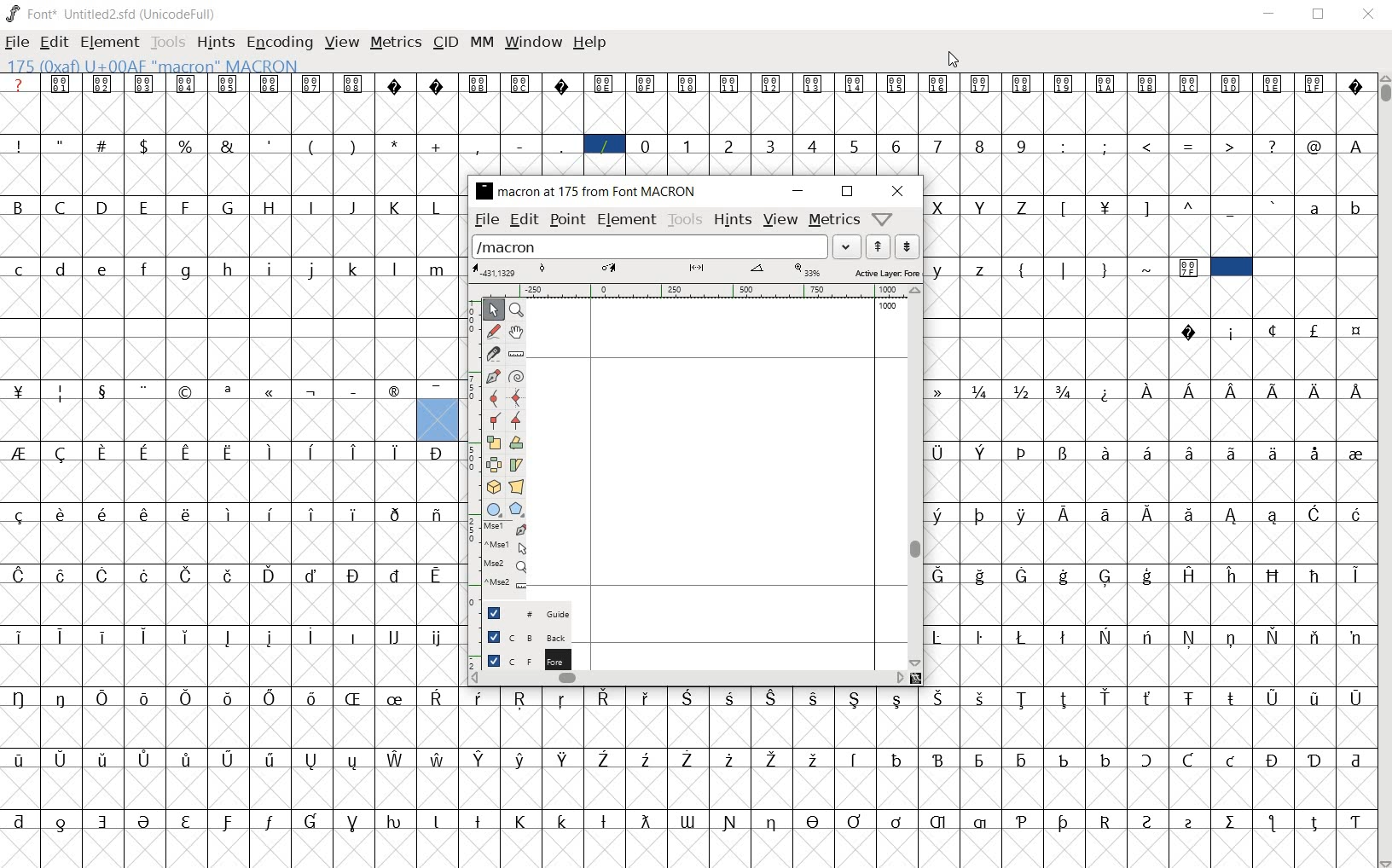  I want to click on Symbol, so click(521, 83).